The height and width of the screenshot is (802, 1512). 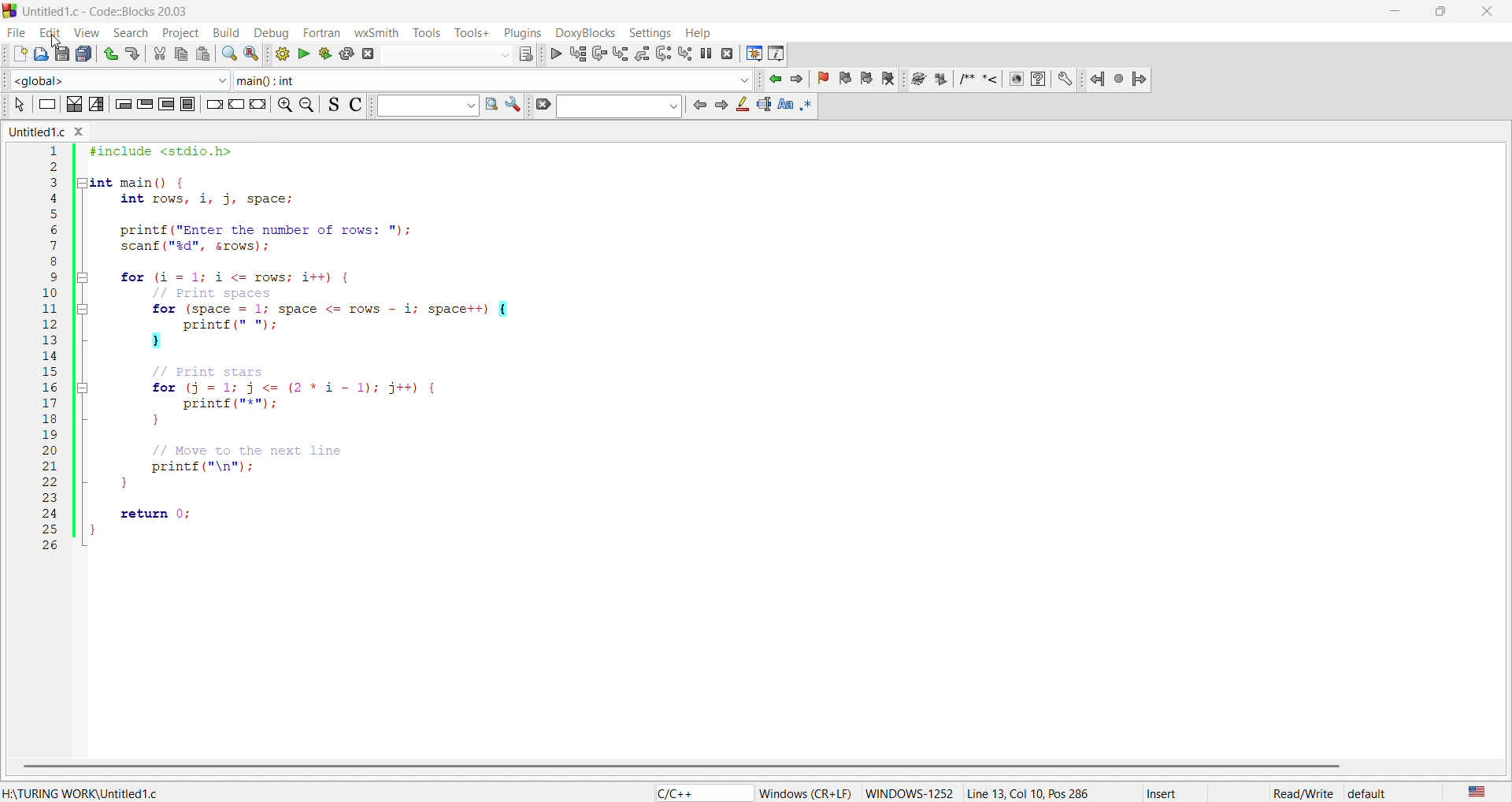 I want to click on build and run, so click(x=326, y=54).